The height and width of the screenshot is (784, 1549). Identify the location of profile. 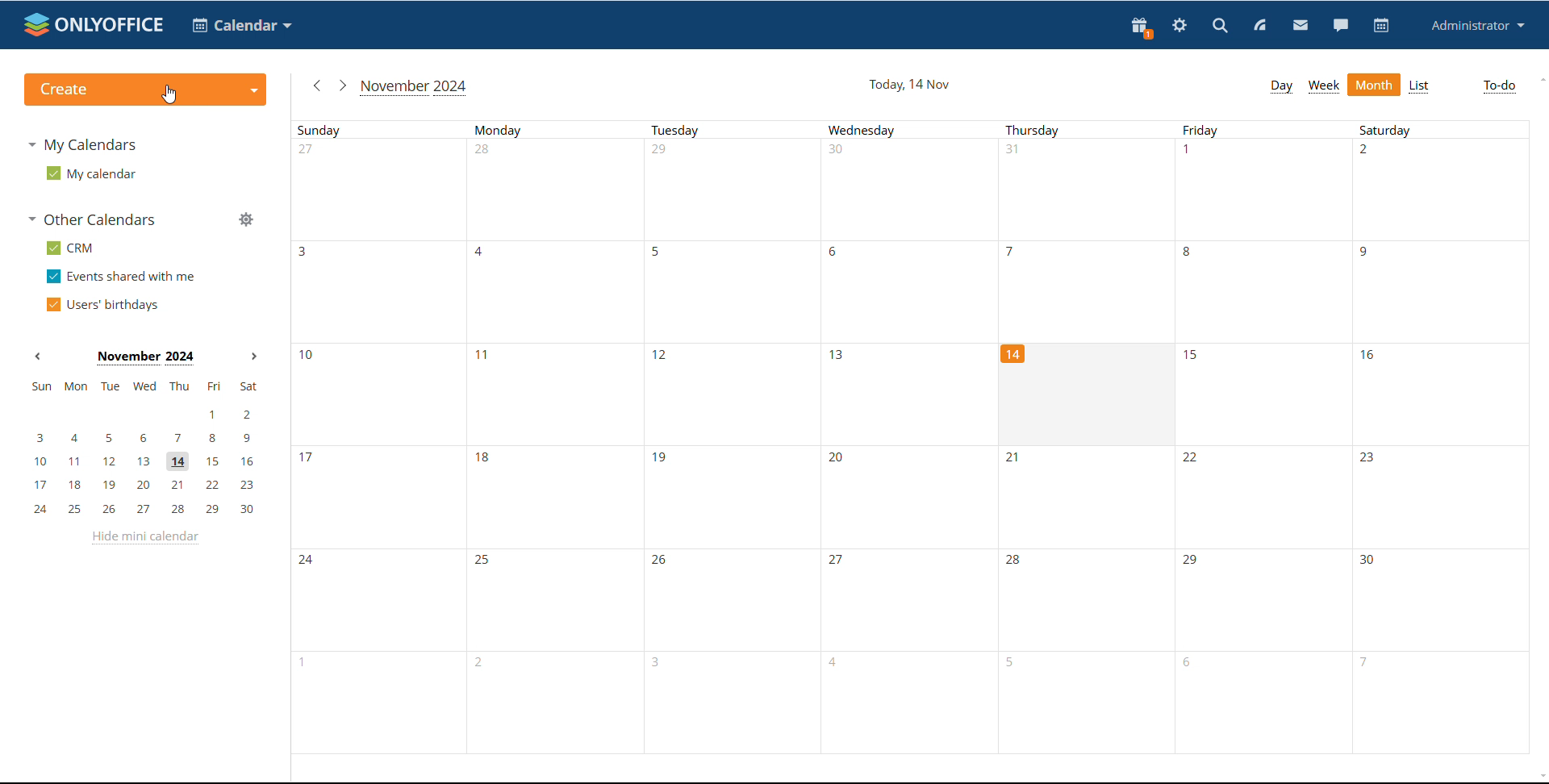
(1478, 25).